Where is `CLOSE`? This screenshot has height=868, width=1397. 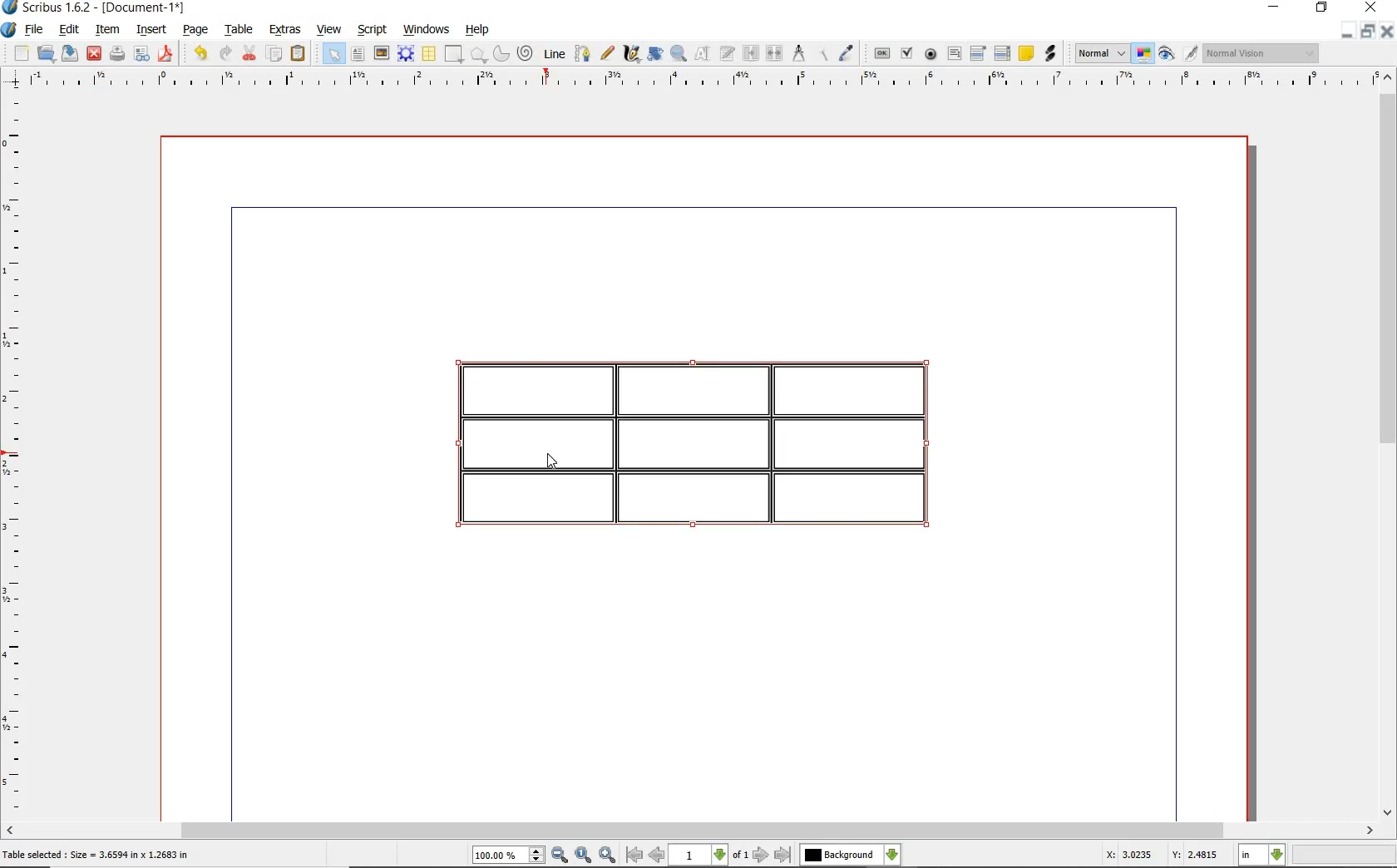 CLOSE is located at coordinates (1371, 7).